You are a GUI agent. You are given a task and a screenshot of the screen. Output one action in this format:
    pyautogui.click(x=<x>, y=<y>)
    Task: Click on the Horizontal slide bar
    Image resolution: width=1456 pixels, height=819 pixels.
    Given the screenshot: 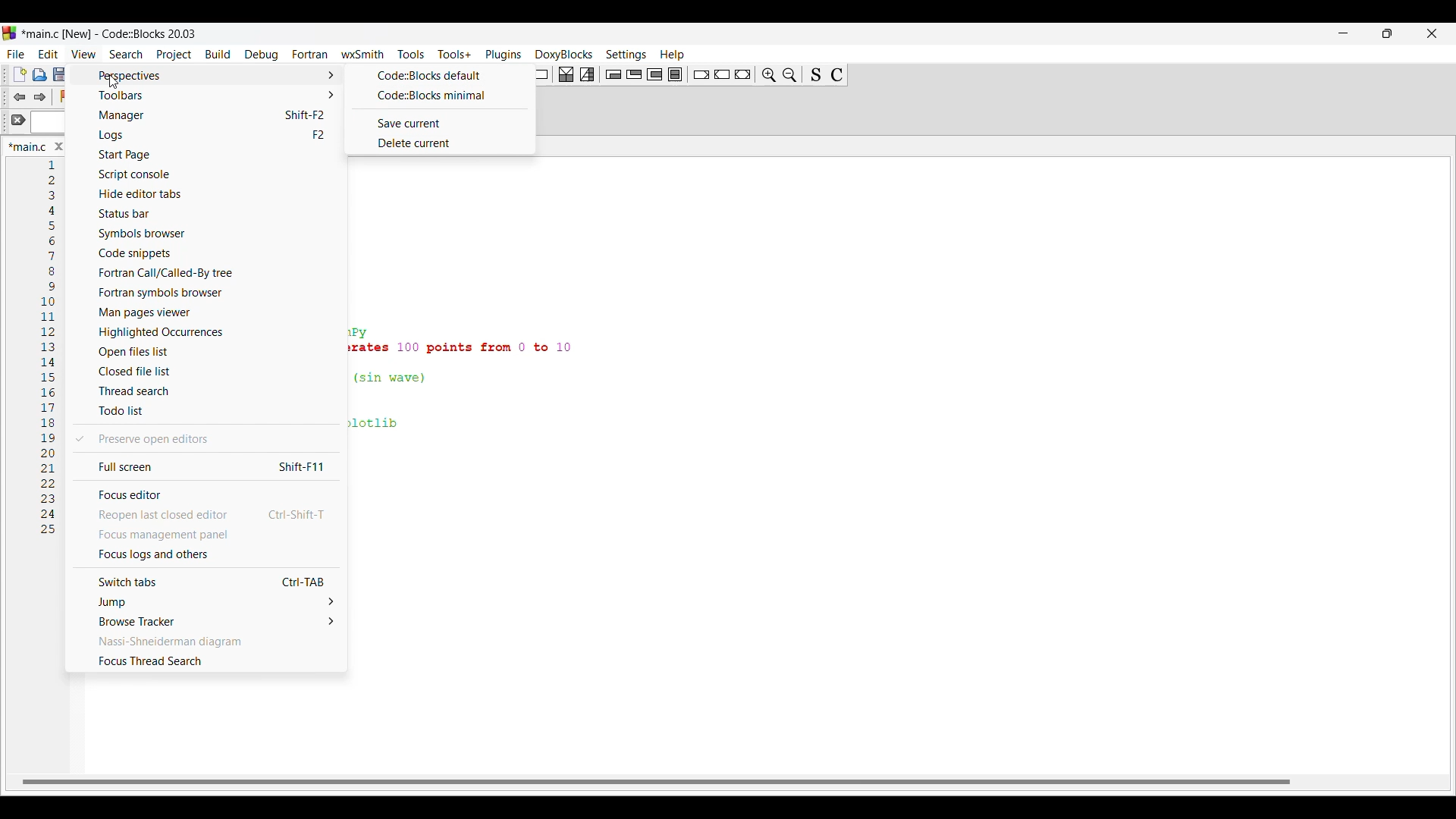 What is the action you would take?
    pyautogui.click(x=656, y=783)
    